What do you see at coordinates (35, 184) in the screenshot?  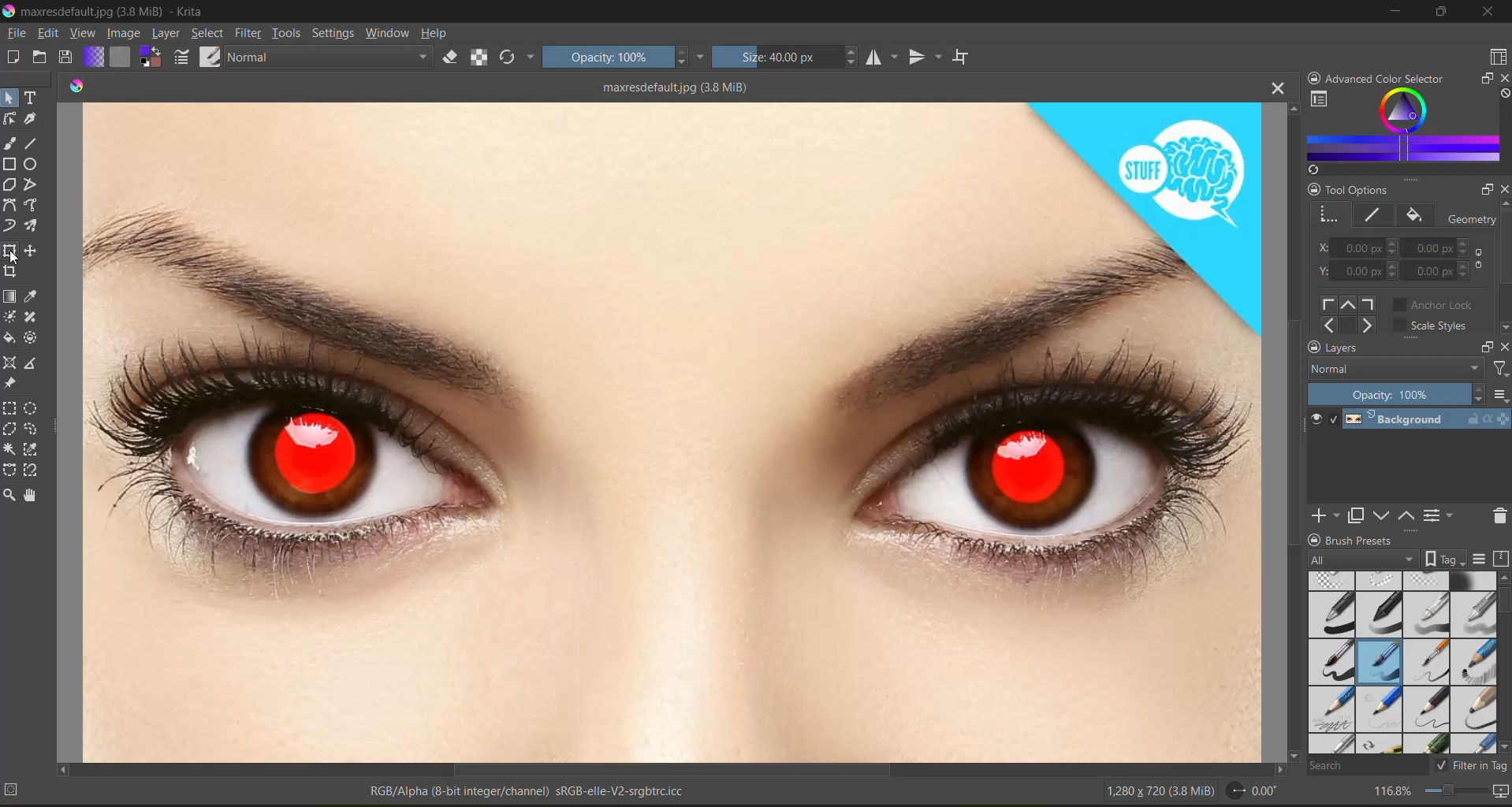 I see `tool` at bounding box center [35, 184].